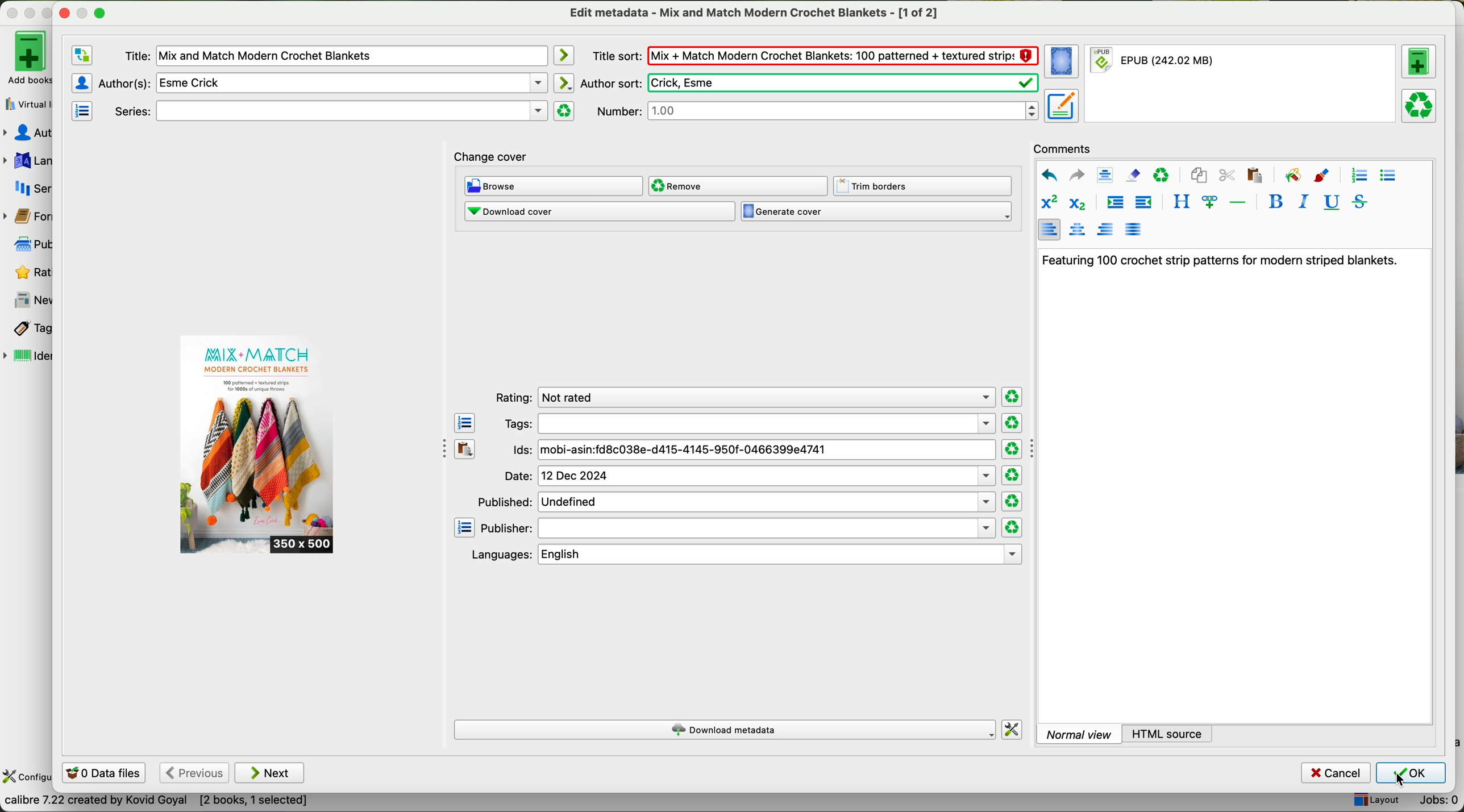 Image resolution: width=1464 pixels, height=812 pixels. Describe the element at coordinates (1106, 228) in the screenshot. I see `align right` at that location.